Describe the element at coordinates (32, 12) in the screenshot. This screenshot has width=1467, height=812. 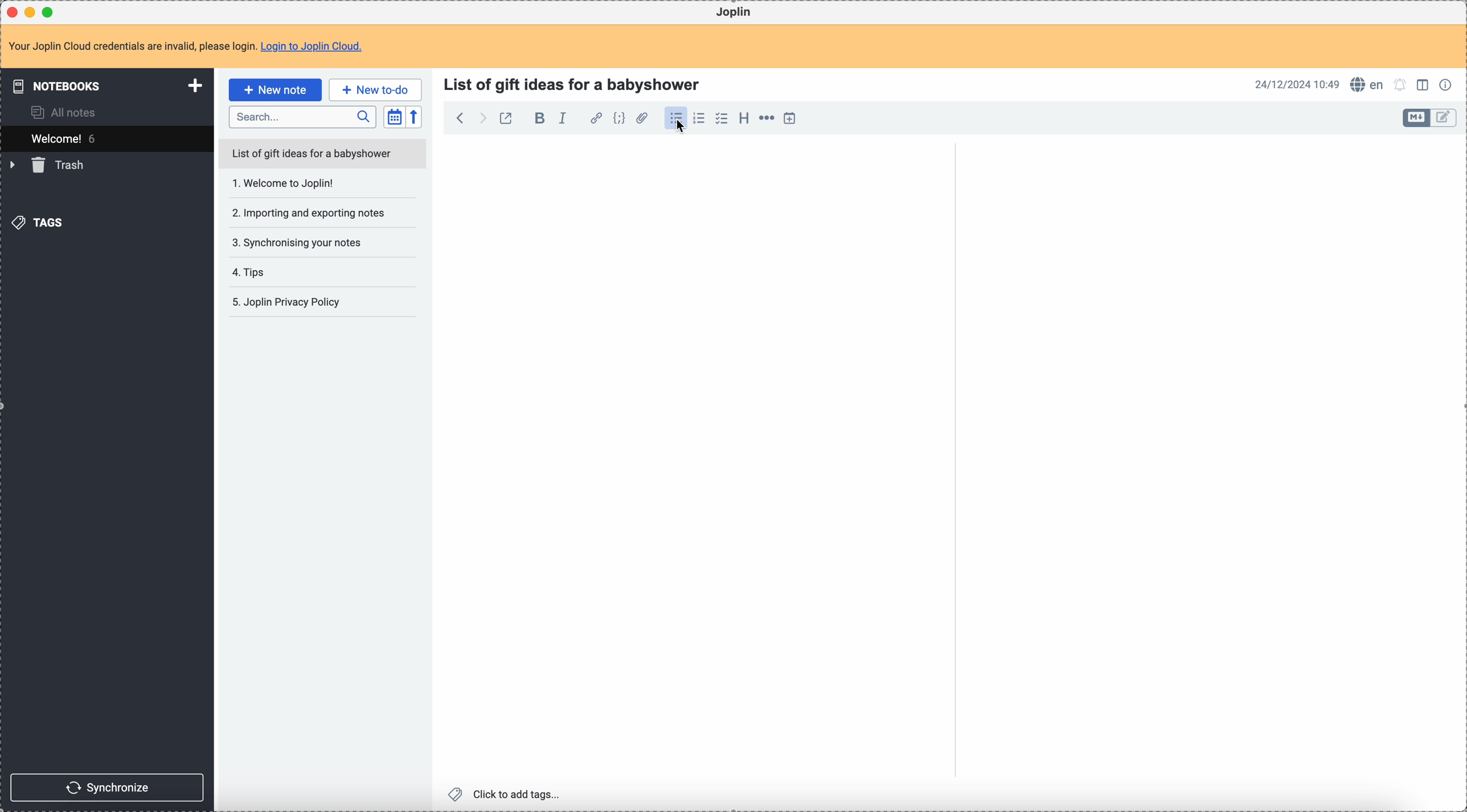
I see `minimize Joplin` at that location.